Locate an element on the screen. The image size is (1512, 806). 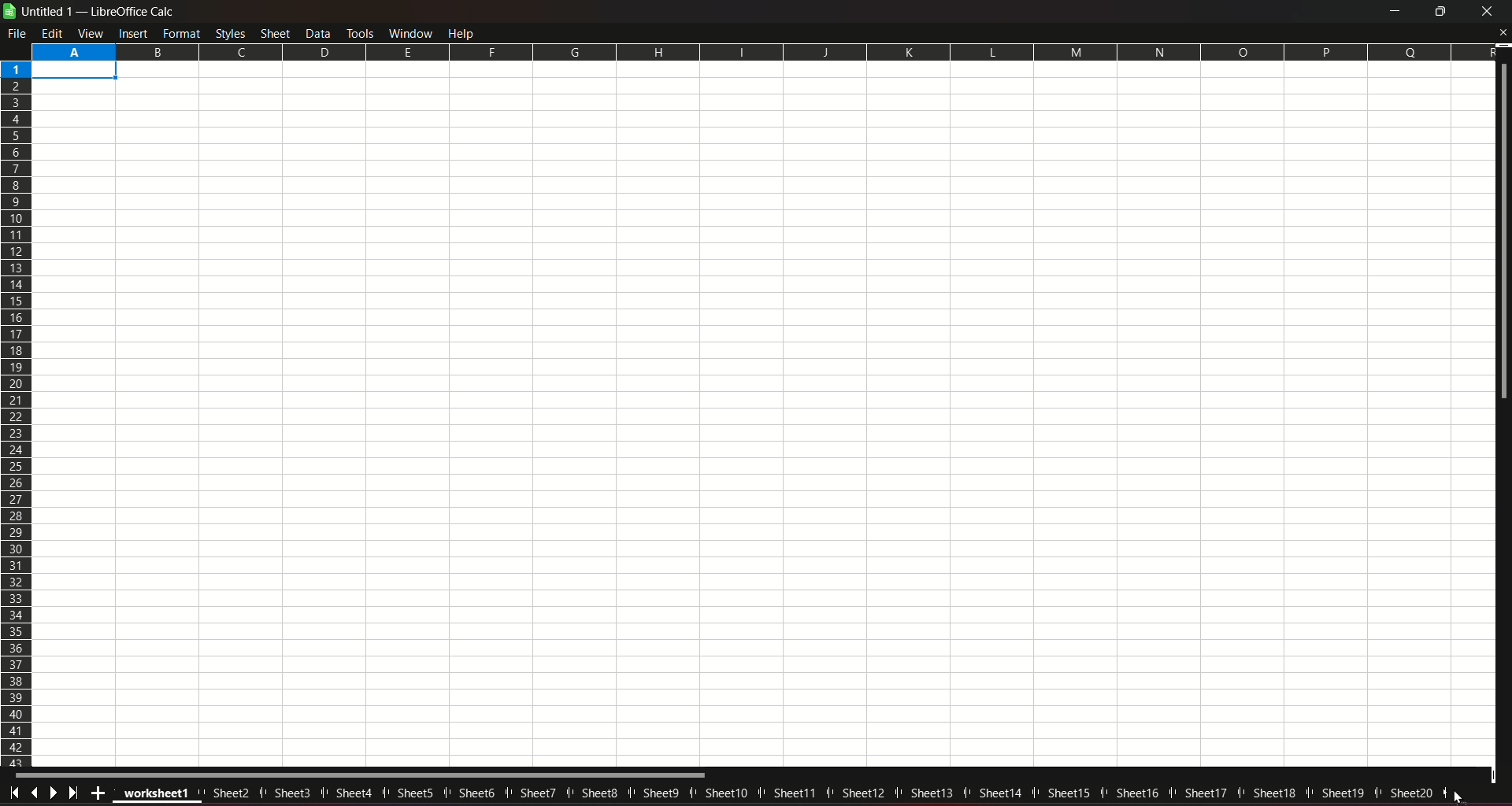
Logo and title is located at coordinates (90, 11).